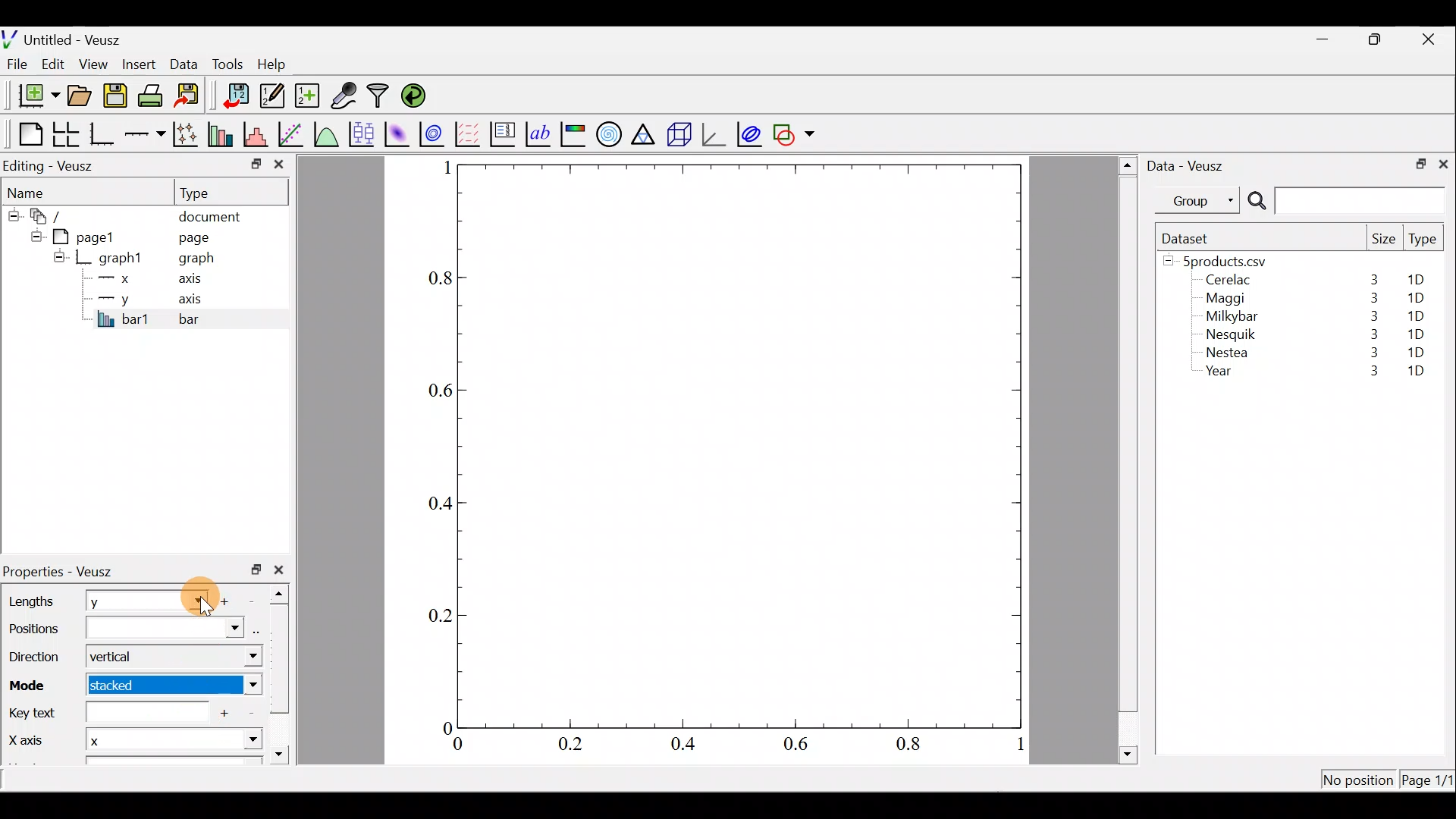 The width and height of the screenshot is (1456, 819). Describe the element at coordinates (1228, 318) in the screenshot. I see `Milkybar` at that location.